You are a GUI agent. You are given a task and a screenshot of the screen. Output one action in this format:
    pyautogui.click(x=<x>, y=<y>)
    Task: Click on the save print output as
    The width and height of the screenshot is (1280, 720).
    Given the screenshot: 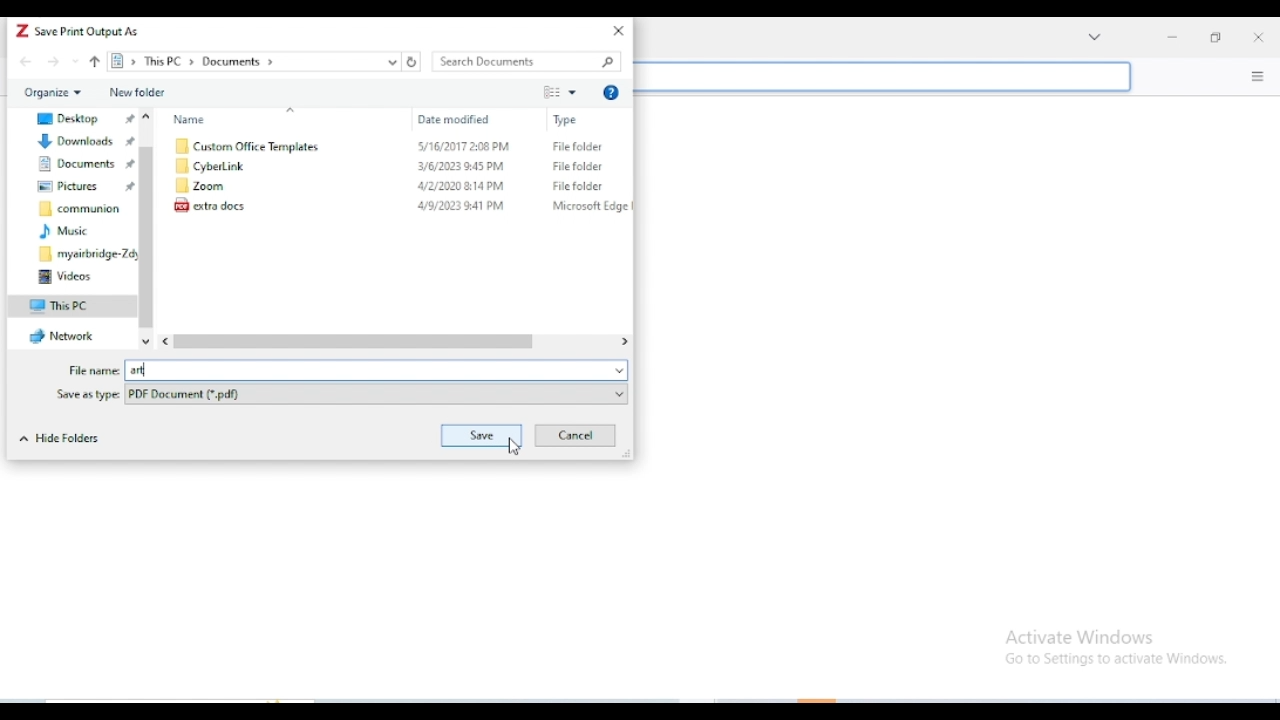 What is the action you would take?
    pyautogui.click(x=88, y=31)
    